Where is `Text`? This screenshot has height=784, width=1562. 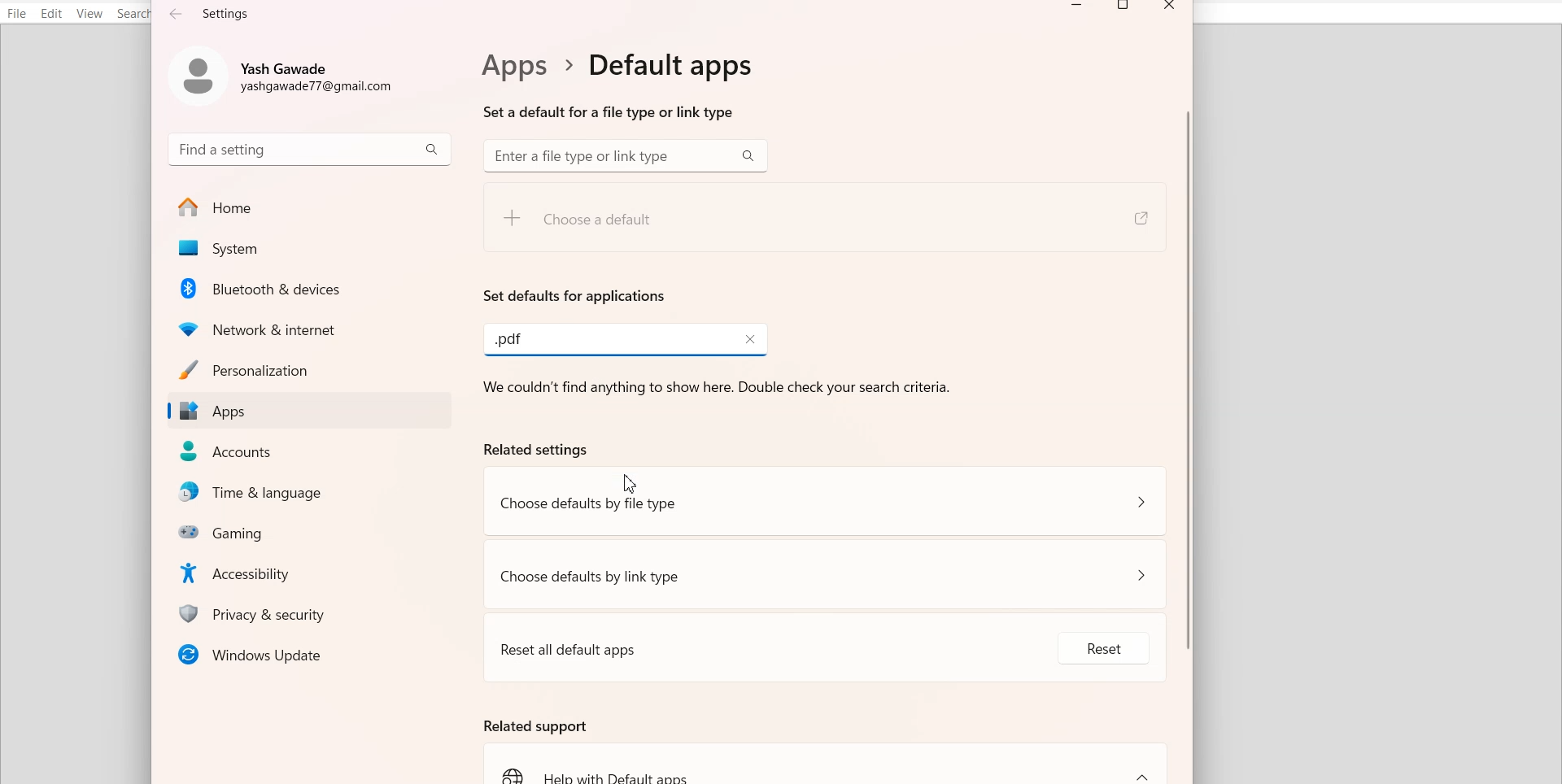 Text is located at coordinates (509, 339).